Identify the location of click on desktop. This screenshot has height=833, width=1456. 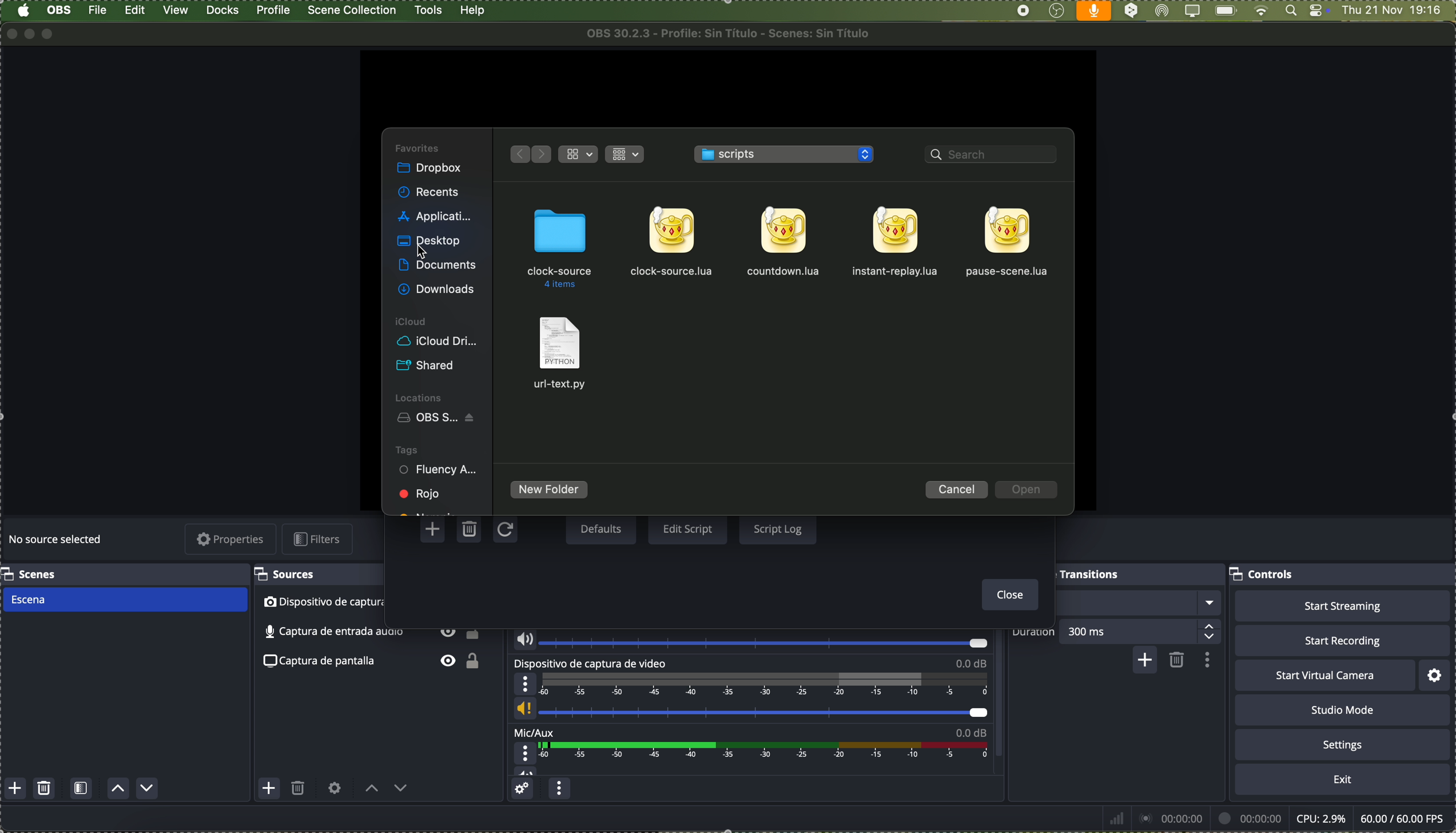
(430, 243).